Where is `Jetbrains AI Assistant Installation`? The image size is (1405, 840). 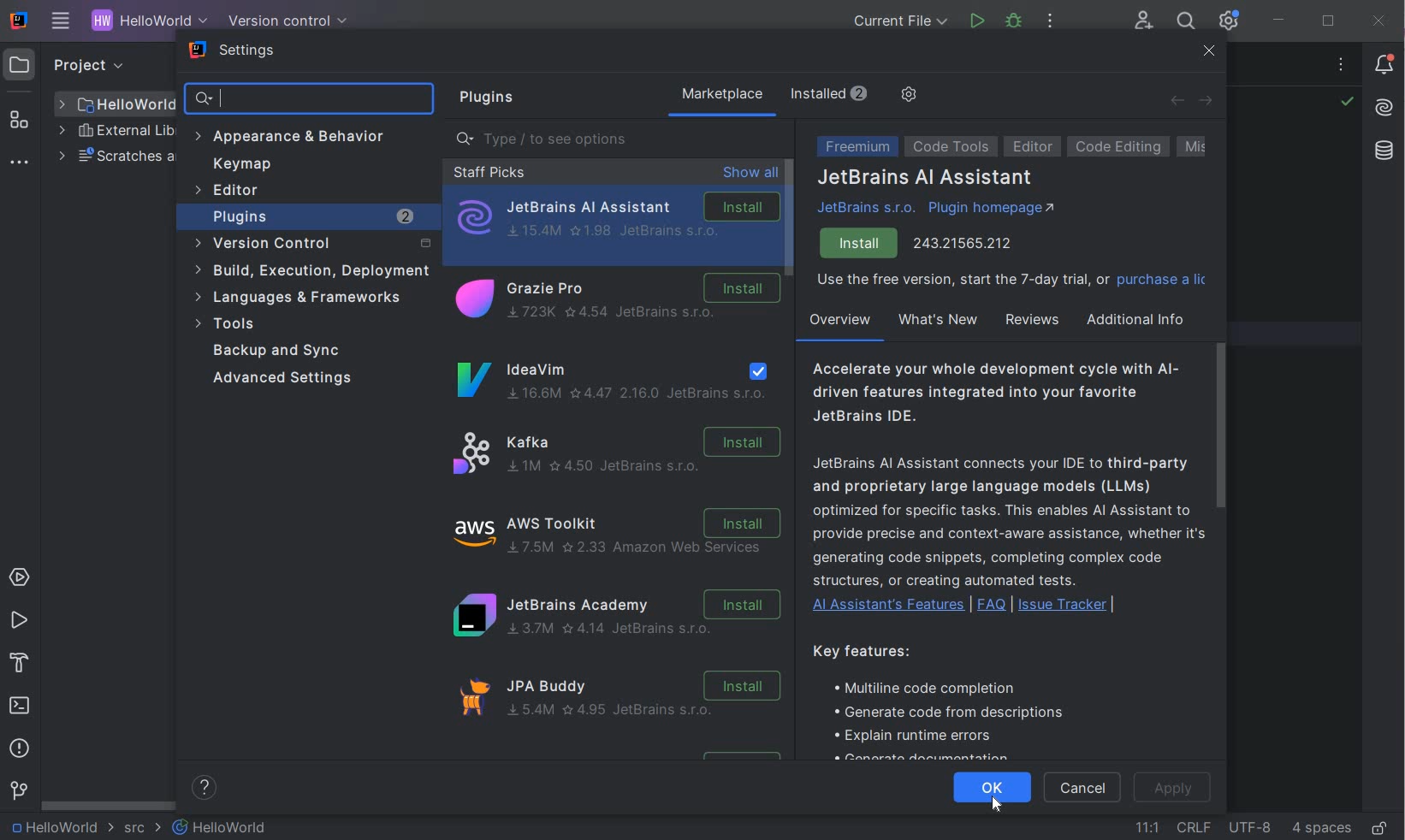 Jetbrains AI Assistant Installation is located at coordinates (616, 218).